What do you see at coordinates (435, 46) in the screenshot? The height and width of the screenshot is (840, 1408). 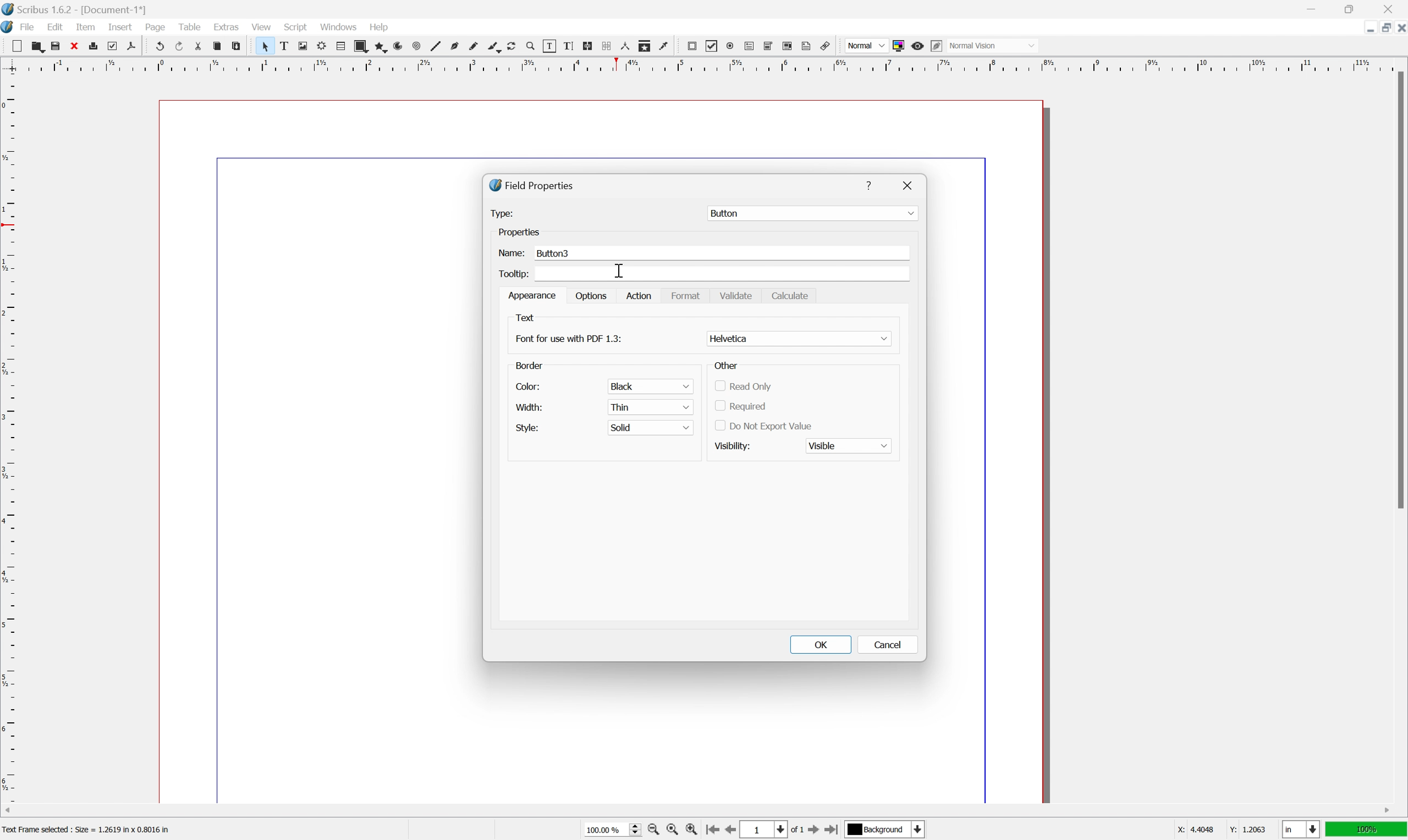 I see `line` at bounding box center [435, 46].